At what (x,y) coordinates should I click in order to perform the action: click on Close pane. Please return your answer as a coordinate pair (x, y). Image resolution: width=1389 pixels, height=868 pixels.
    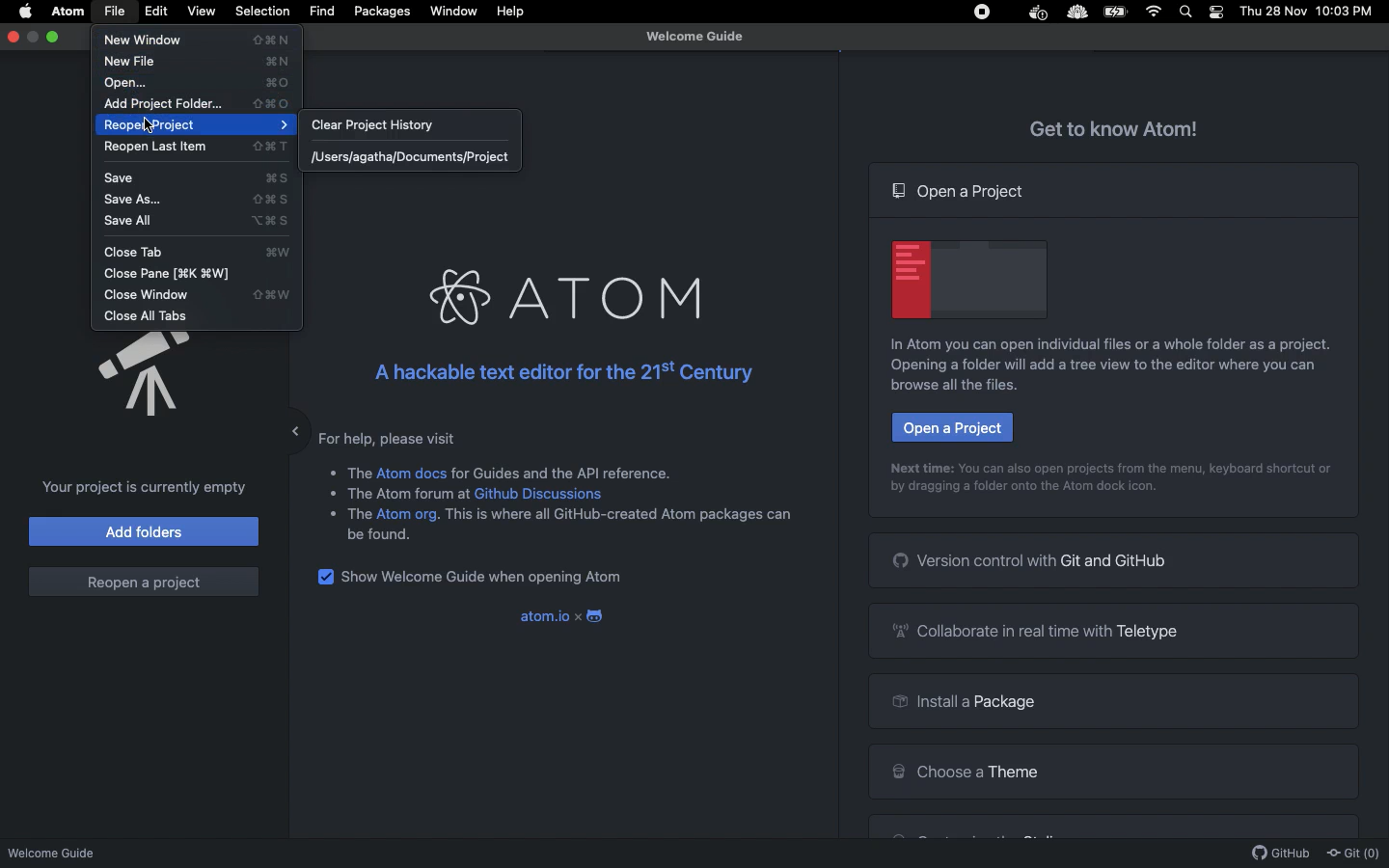
    Looking at the image, I should click on (178, 274).